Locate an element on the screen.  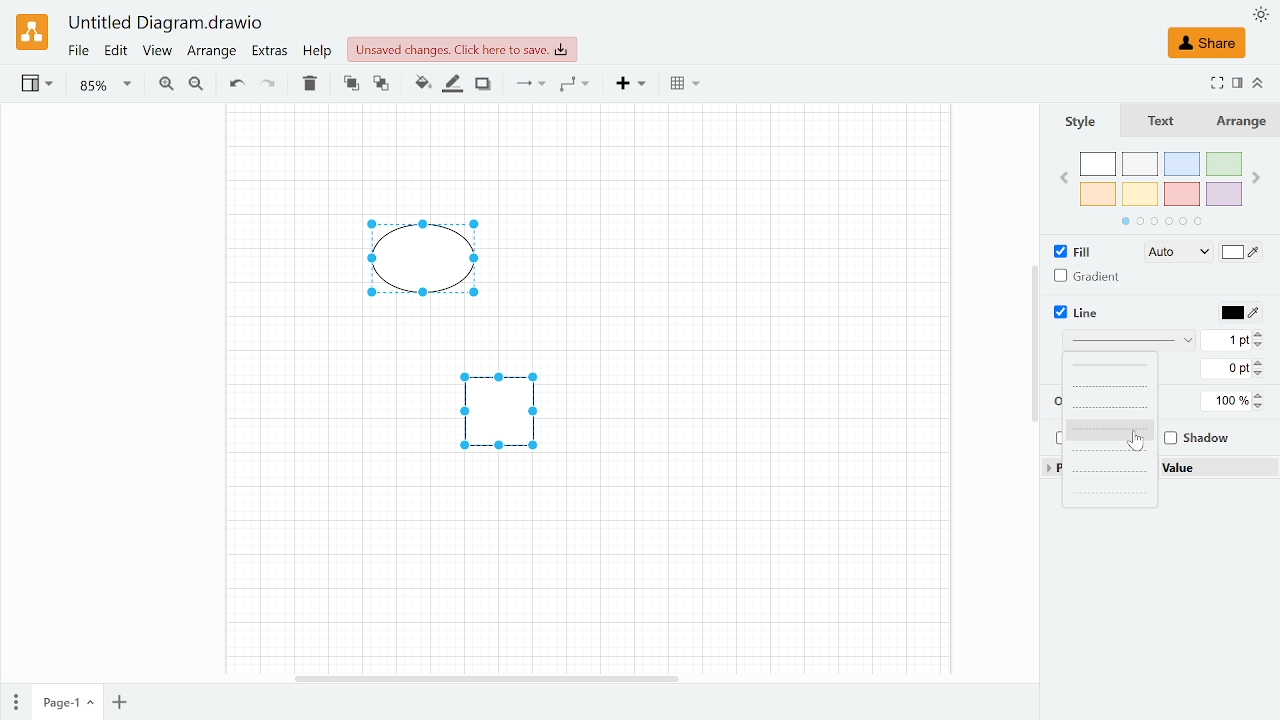
Arrange is located at coordinates (1241, 121).